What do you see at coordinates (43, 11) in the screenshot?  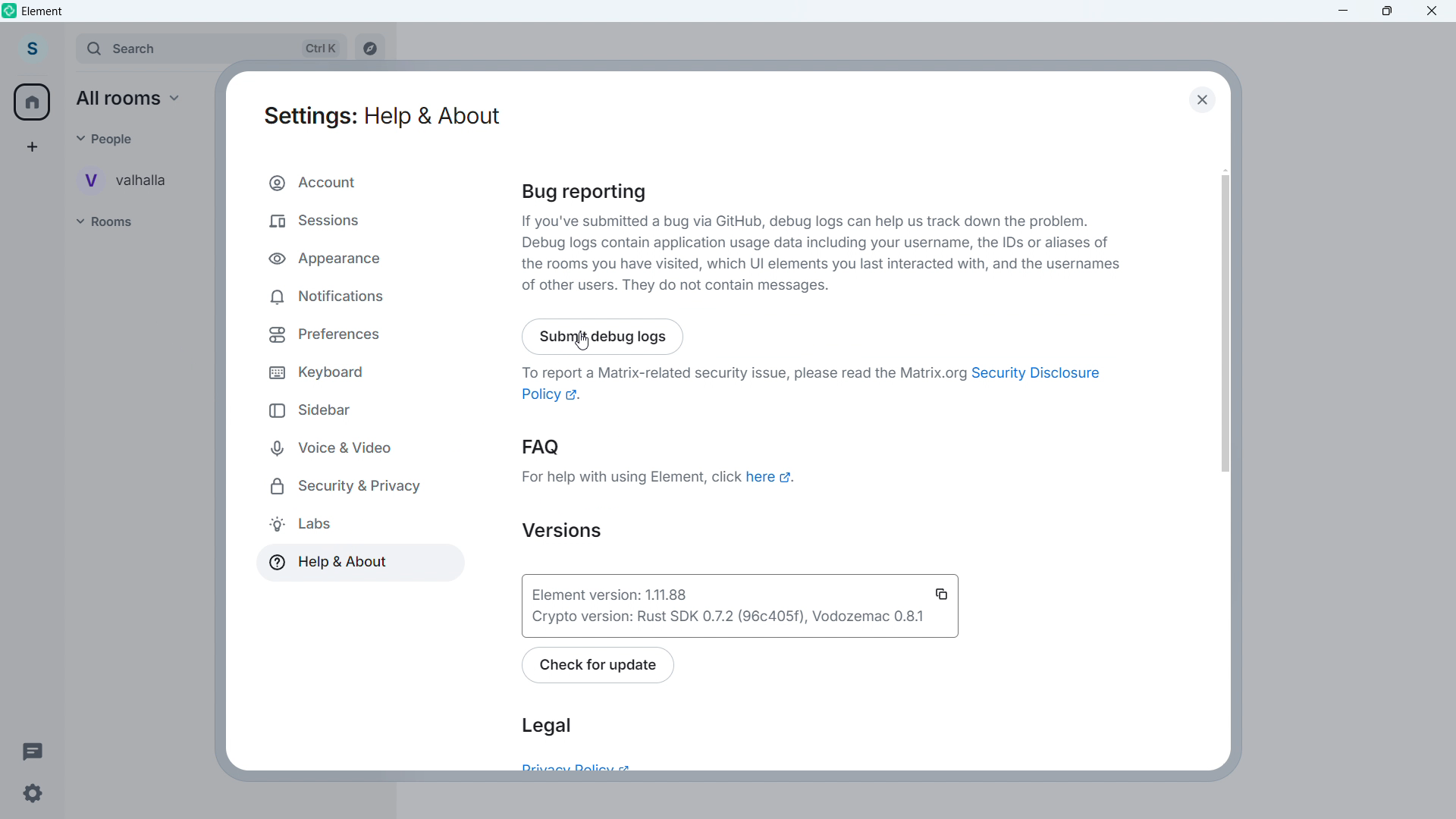 I see `Element` at bounding box center [43, 11].